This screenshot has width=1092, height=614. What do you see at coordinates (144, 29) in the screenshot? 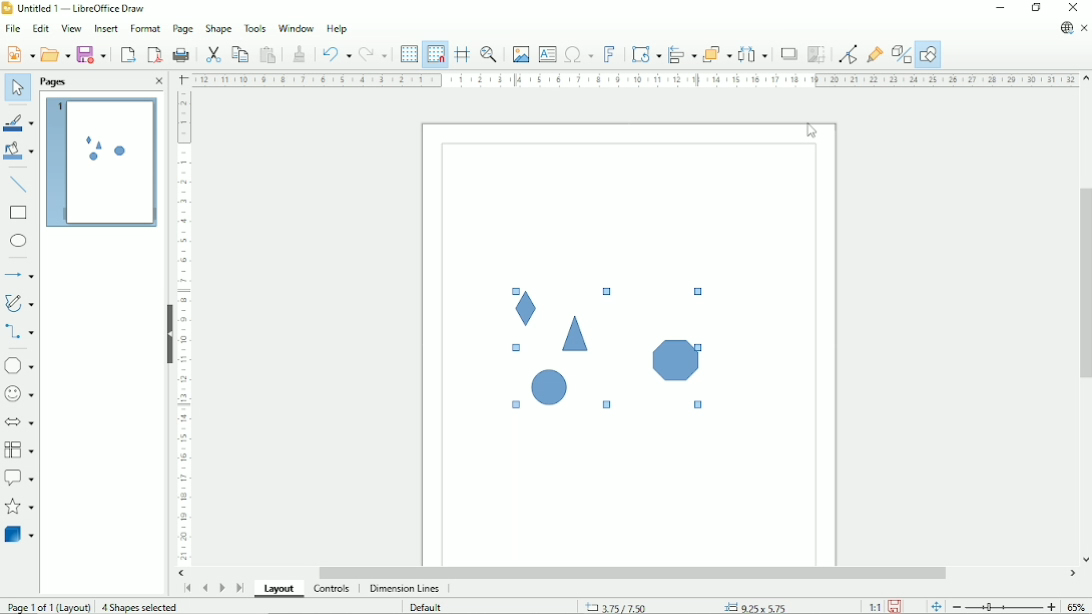
I see `Format` at bounding box center [144, 29].